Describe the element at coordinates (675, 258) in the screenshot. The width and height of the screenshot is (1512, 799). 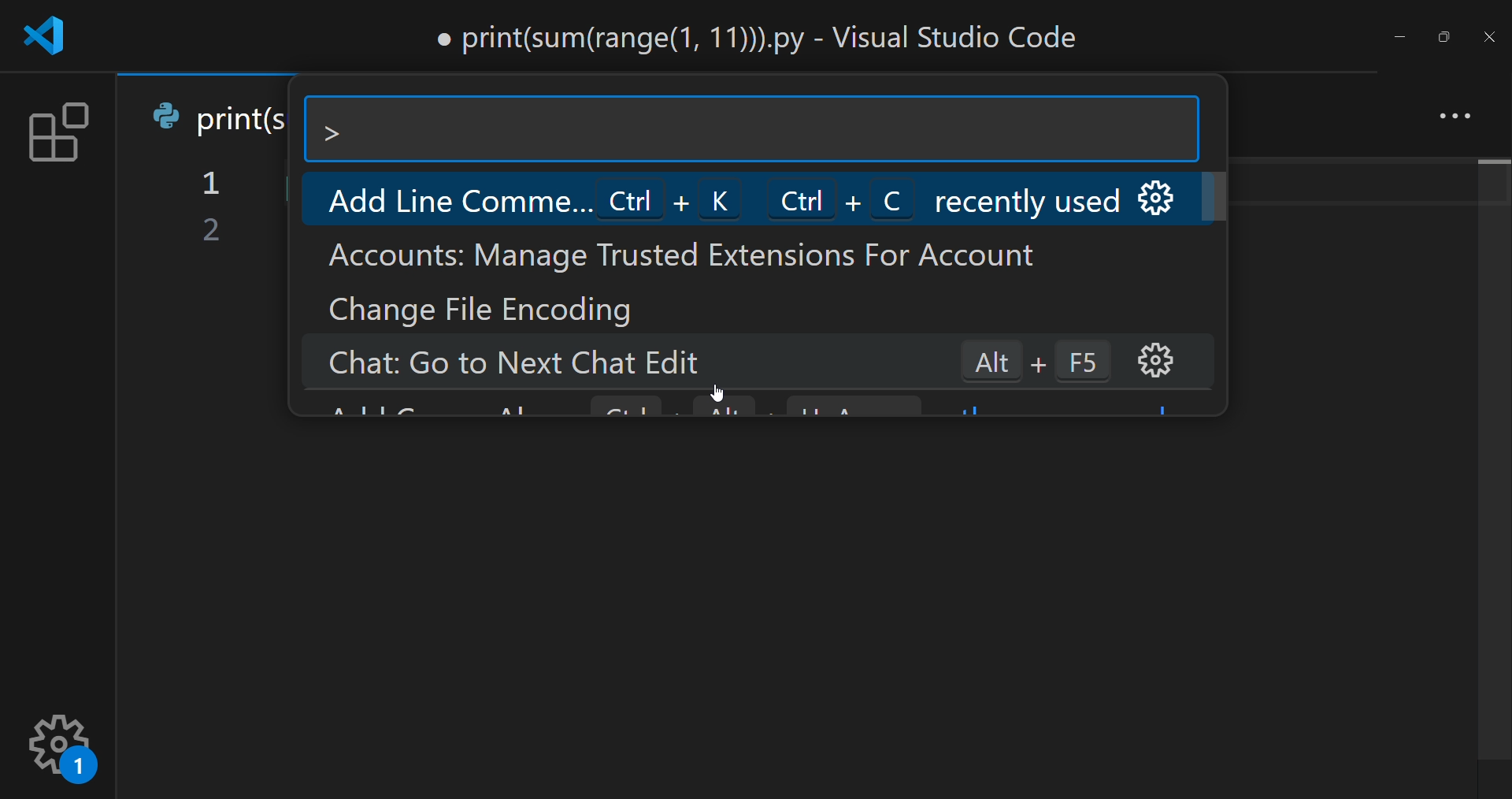
I see `Accounts: Manage Trusted Extensions For Account` at that location.